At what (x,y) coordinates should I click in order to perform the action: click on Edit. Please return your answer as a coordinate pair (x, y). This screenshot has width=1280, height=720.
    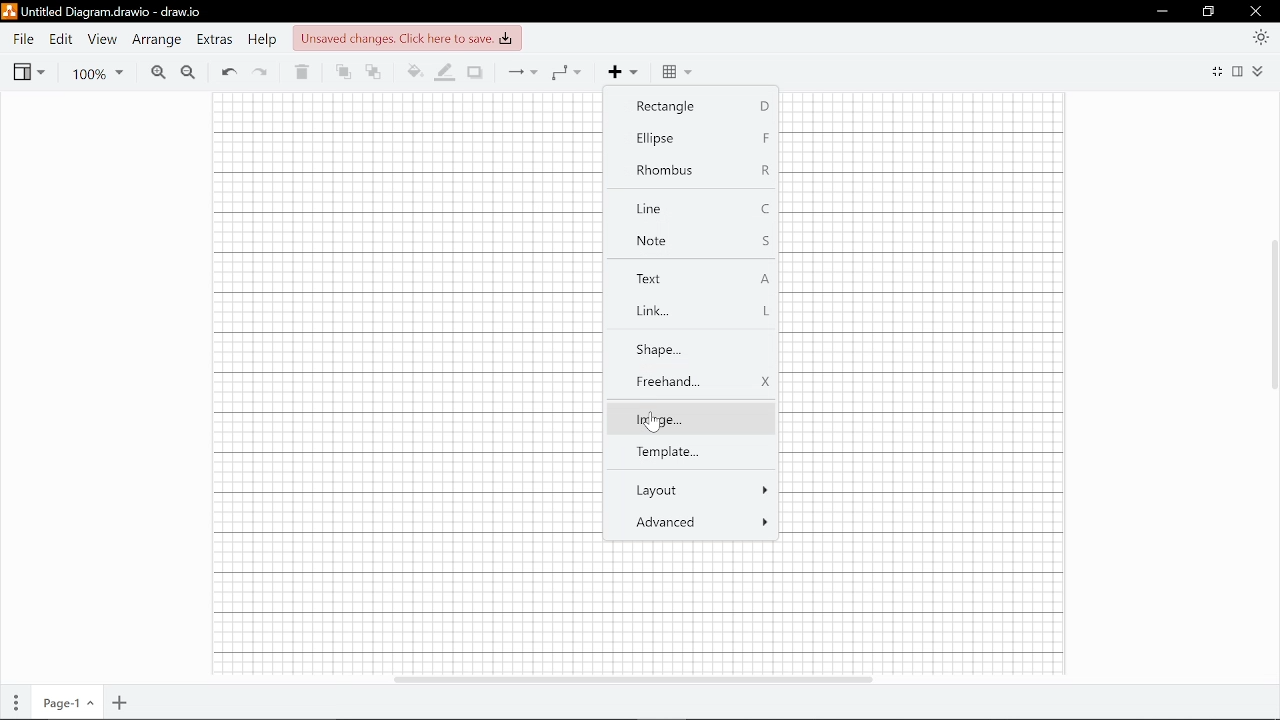
    Looking at the image, I should click on (60, 41).